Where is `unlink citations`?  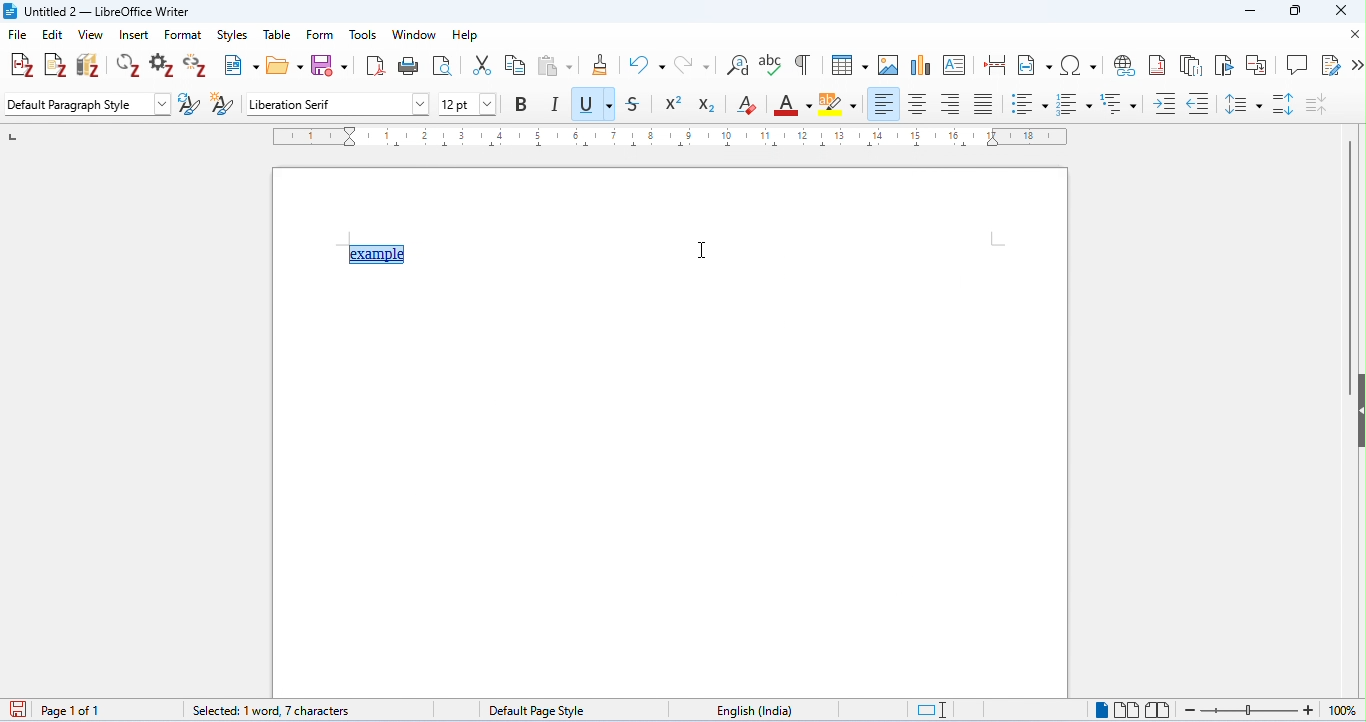 unlink citations is located at coordinates (195, 67).